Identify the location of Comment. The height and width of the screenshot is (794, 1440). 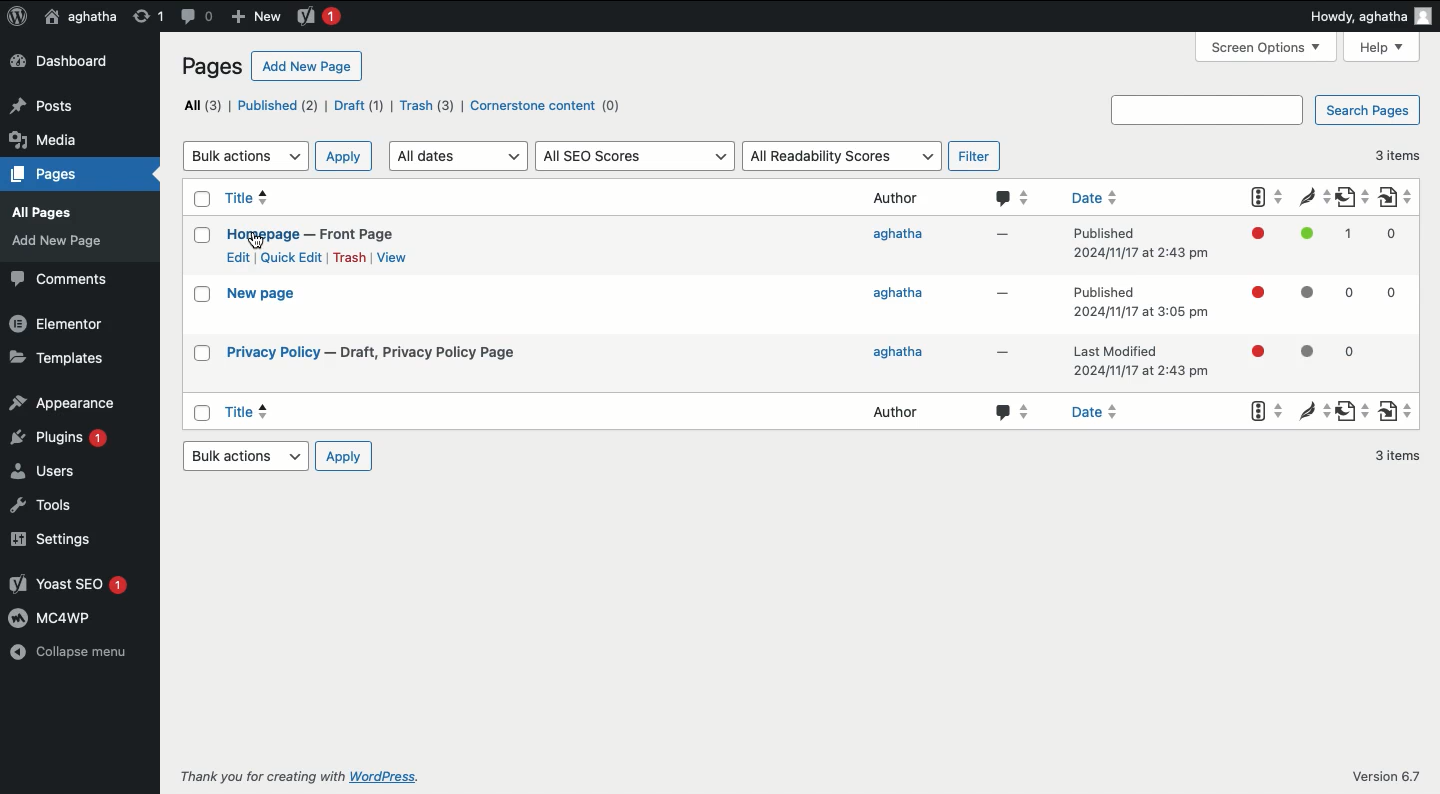
(1015, 308).